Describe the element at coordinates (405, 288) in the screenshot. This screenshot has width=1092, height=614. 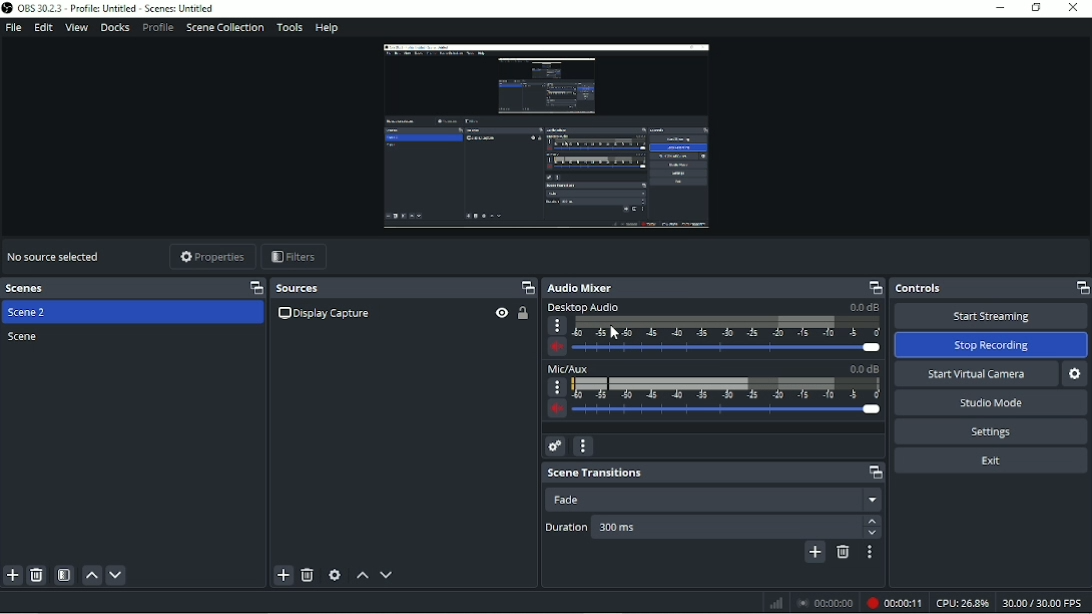
I see `Sources` at that location.